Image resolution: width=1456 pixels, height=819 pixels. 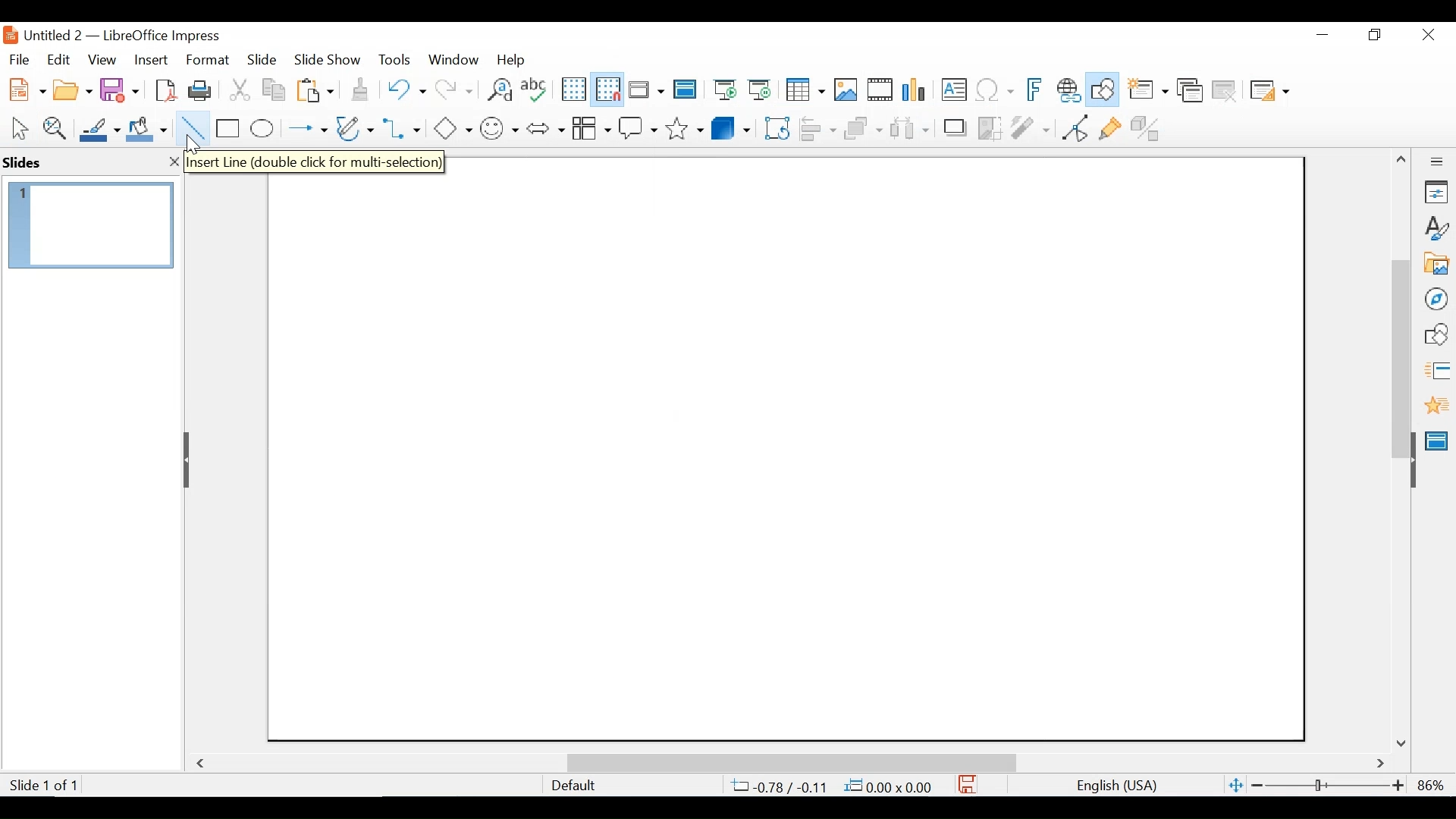 I want to click on Clone Formatting, so click(x=362, y=89).